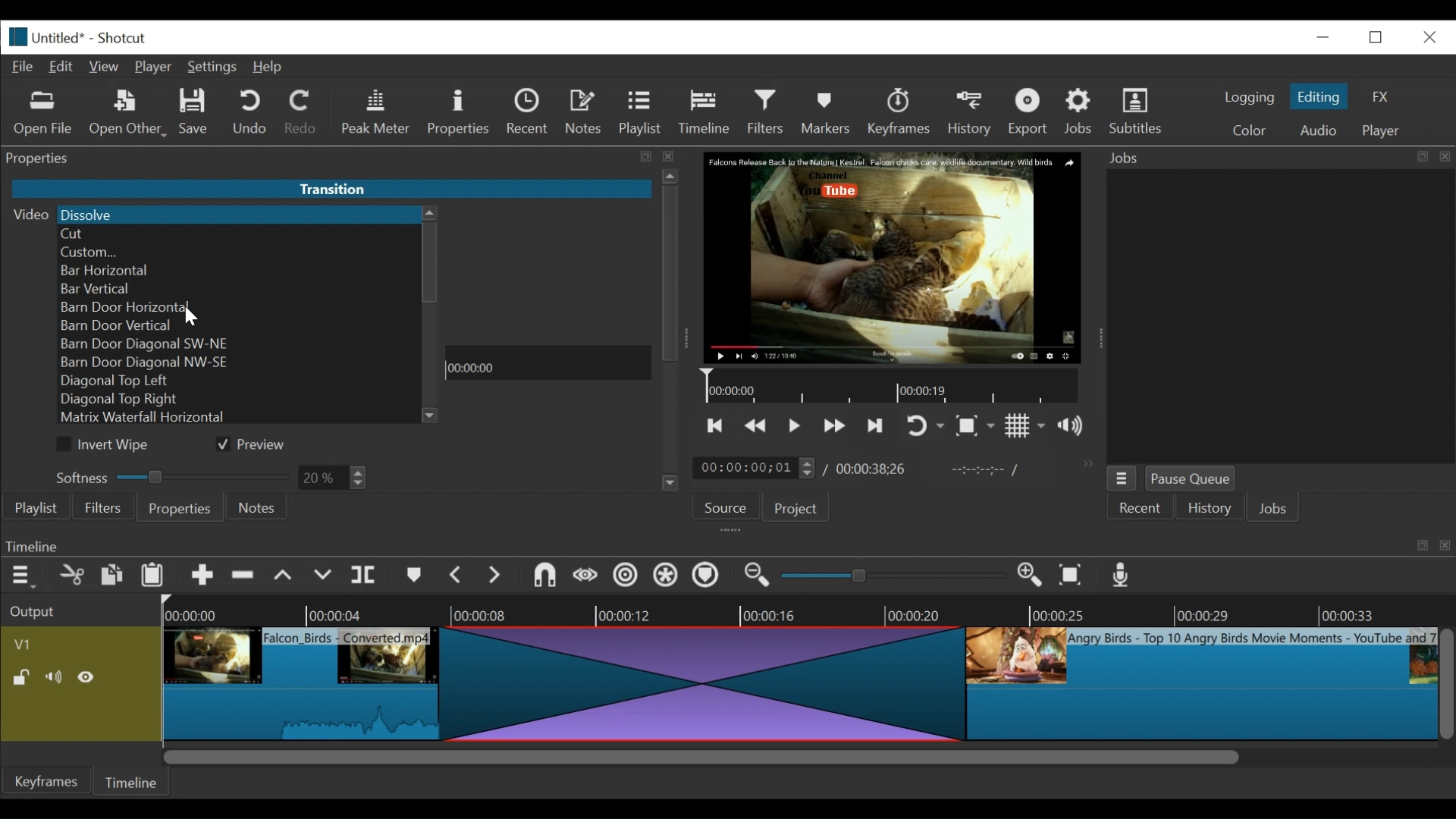  What do you see at coordinates (106, 445) in the screenshot?
I see `(un)check Invite Wipe` at bounding box center [106, 445].